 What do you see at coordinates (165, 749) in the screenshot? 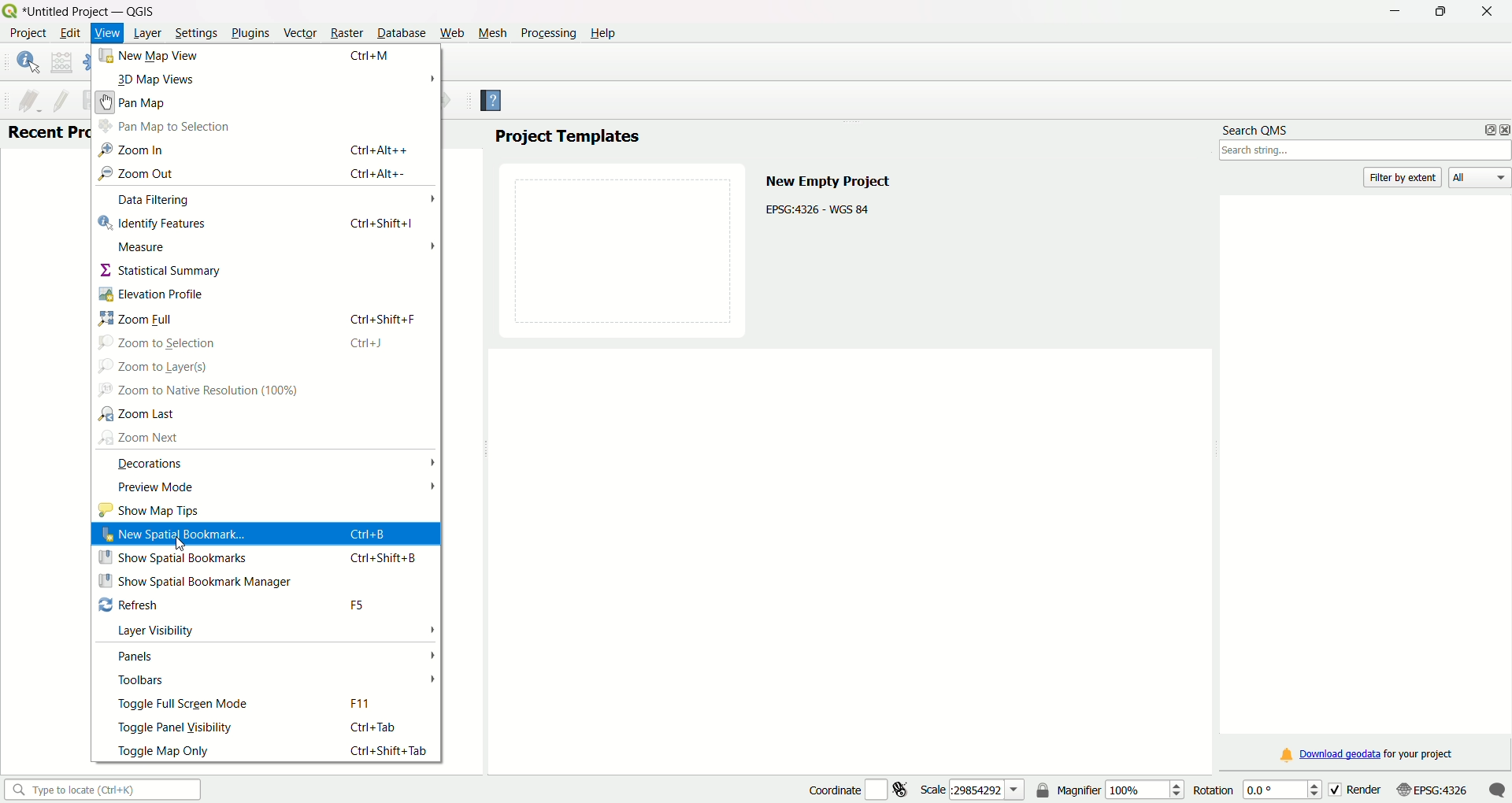
I see `Toggle map only` at bounding box center [165, 749].